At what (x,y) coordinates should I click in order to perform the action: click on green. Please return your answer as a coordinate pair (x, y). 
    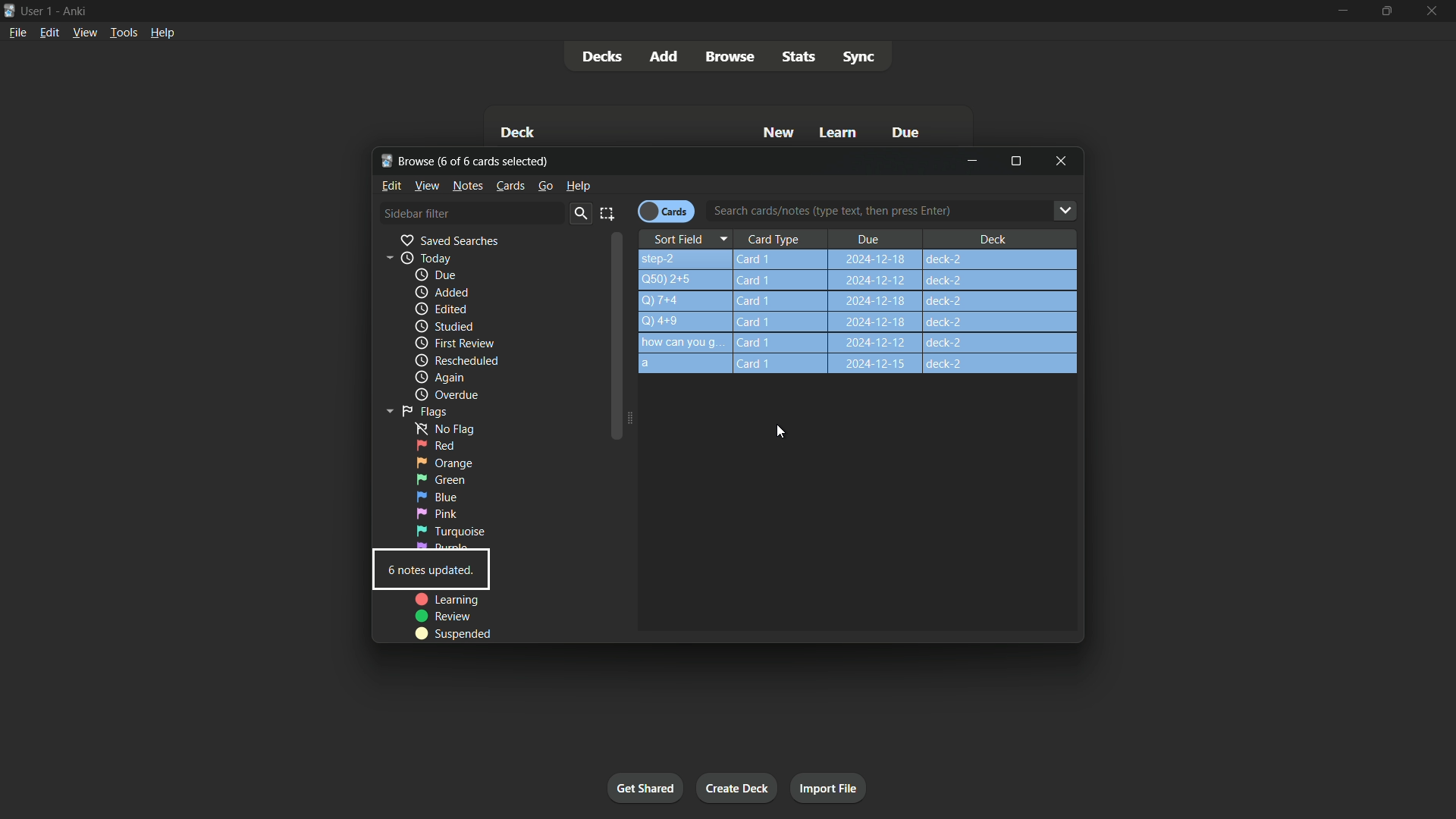
    Looking at the image, I should click on (441, 480).